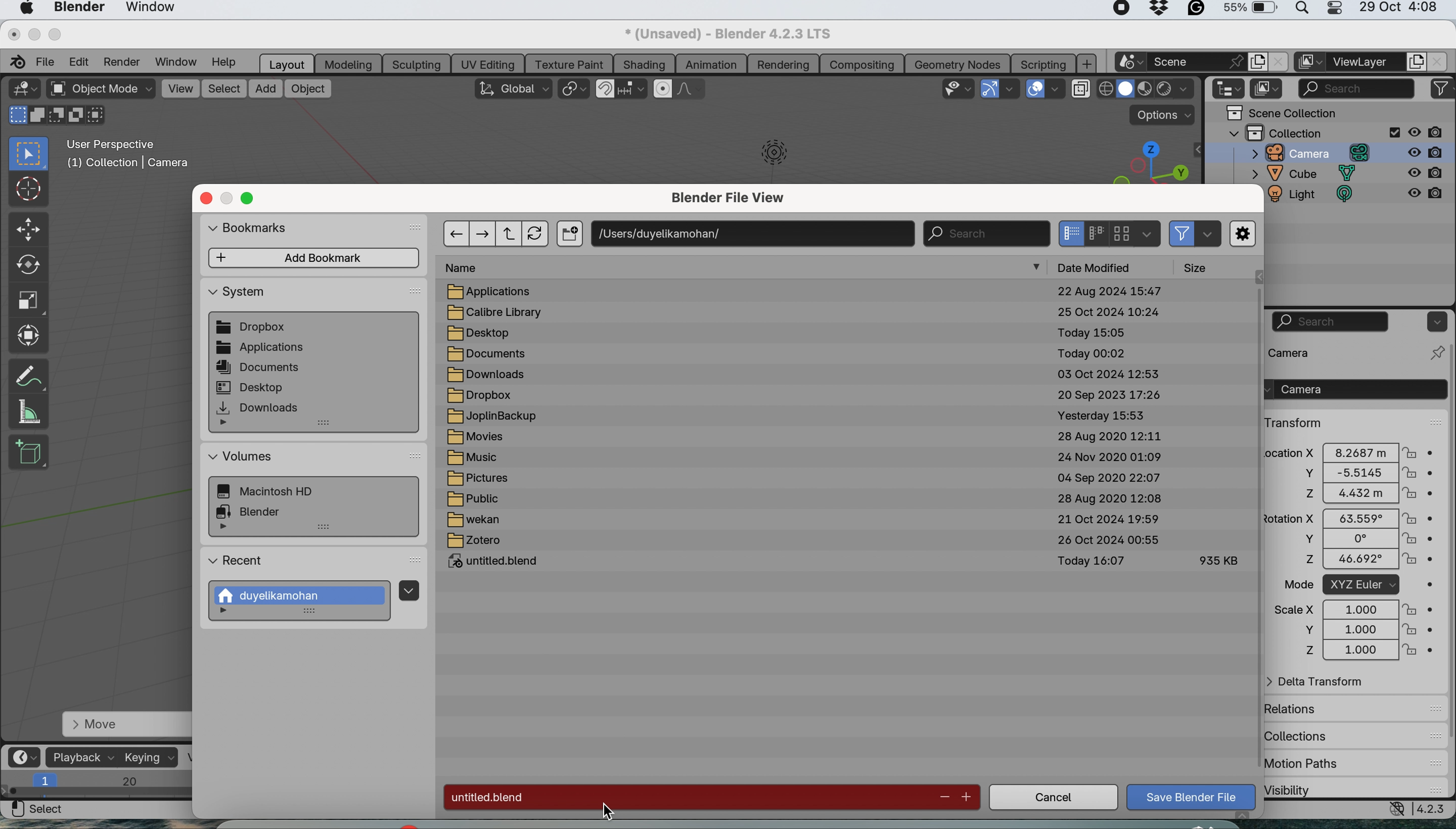 This screenshot has width=1456, height=829. Describe the element at coordinates (482, 395) in the screenshot. I see `dropbox` at that location.